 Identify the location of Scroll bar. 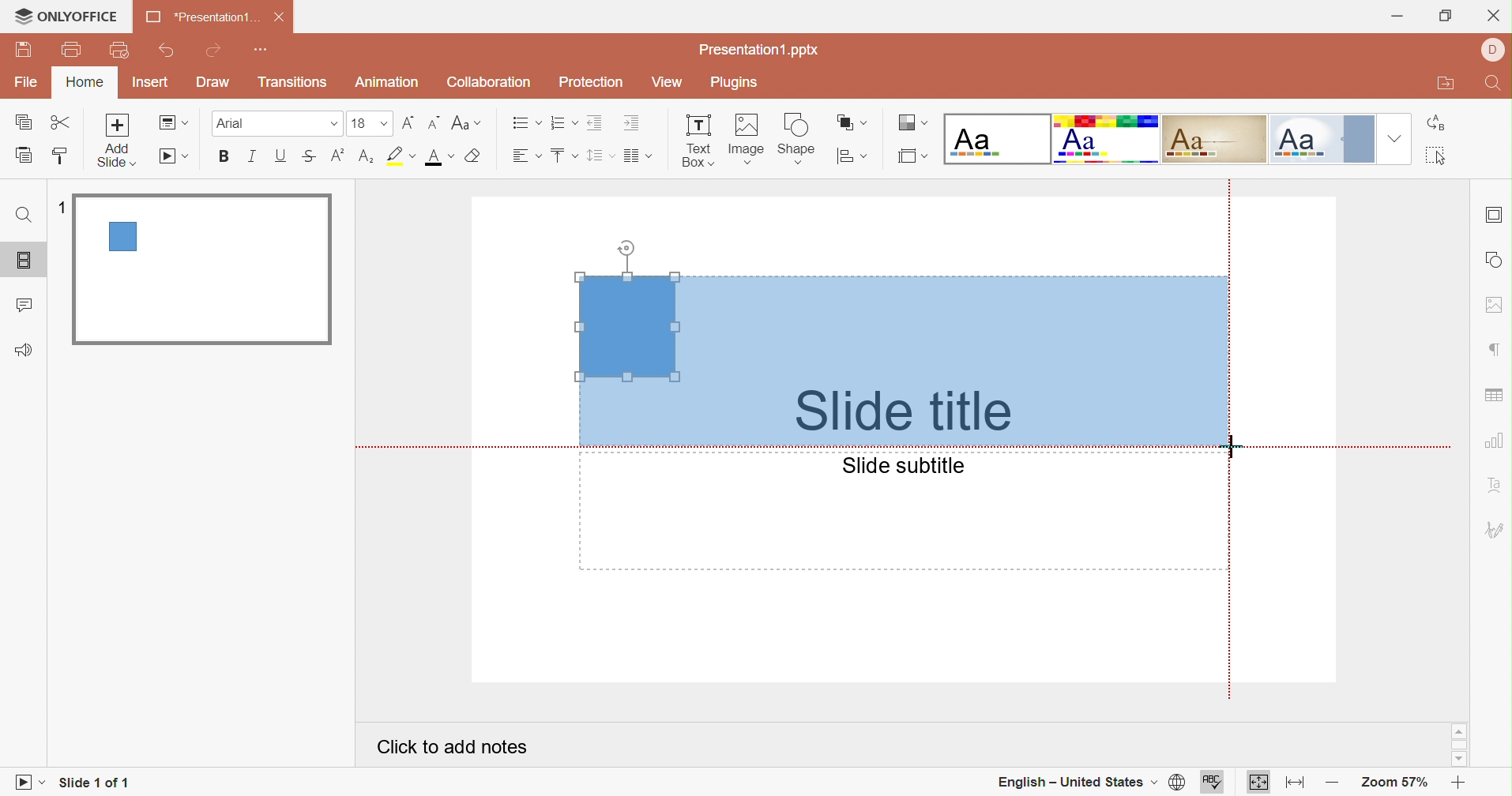
(1460, 745).